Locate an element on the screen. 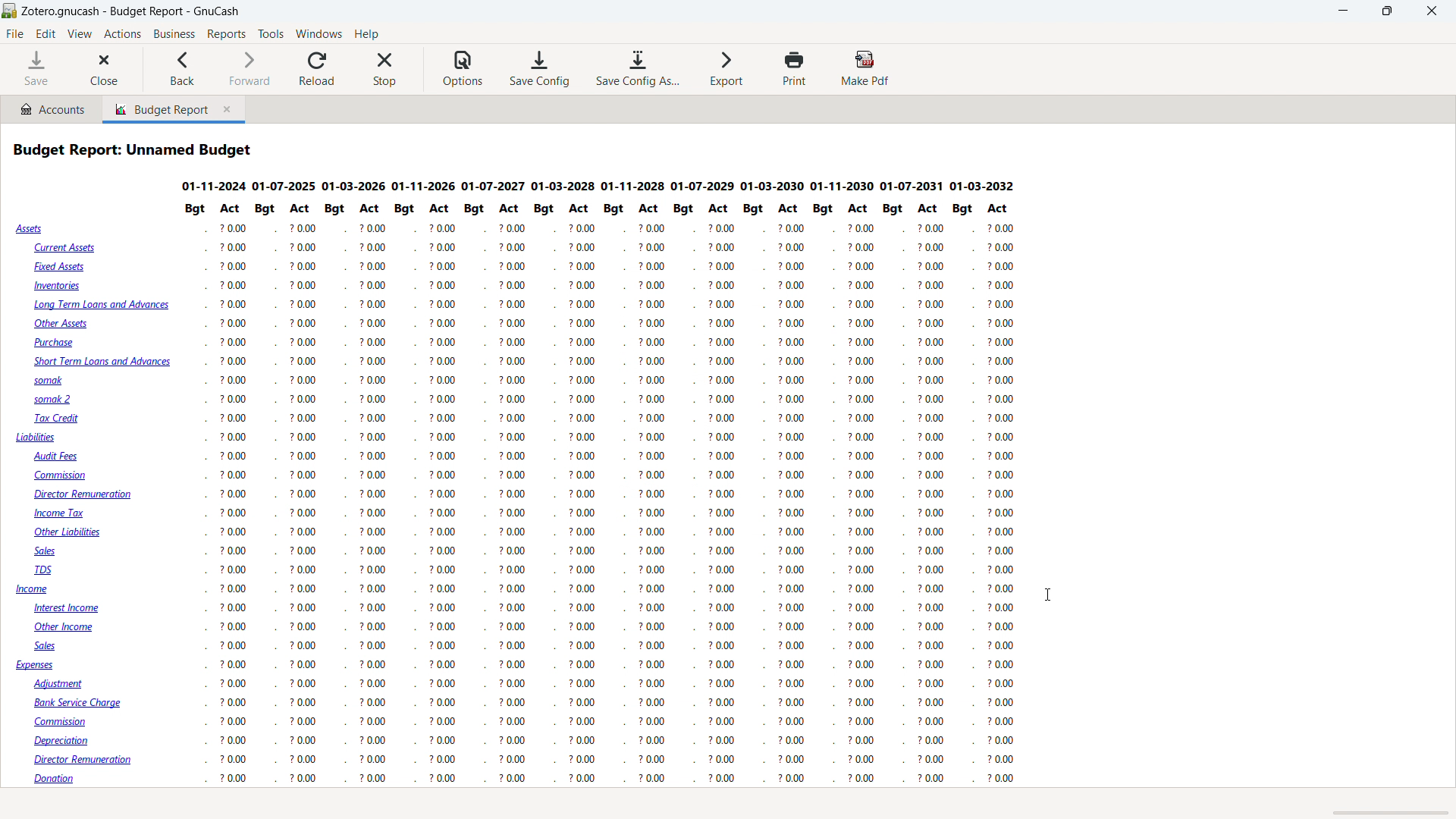 The image size is (1456, 819). reload is located at coordinates (318, 69).